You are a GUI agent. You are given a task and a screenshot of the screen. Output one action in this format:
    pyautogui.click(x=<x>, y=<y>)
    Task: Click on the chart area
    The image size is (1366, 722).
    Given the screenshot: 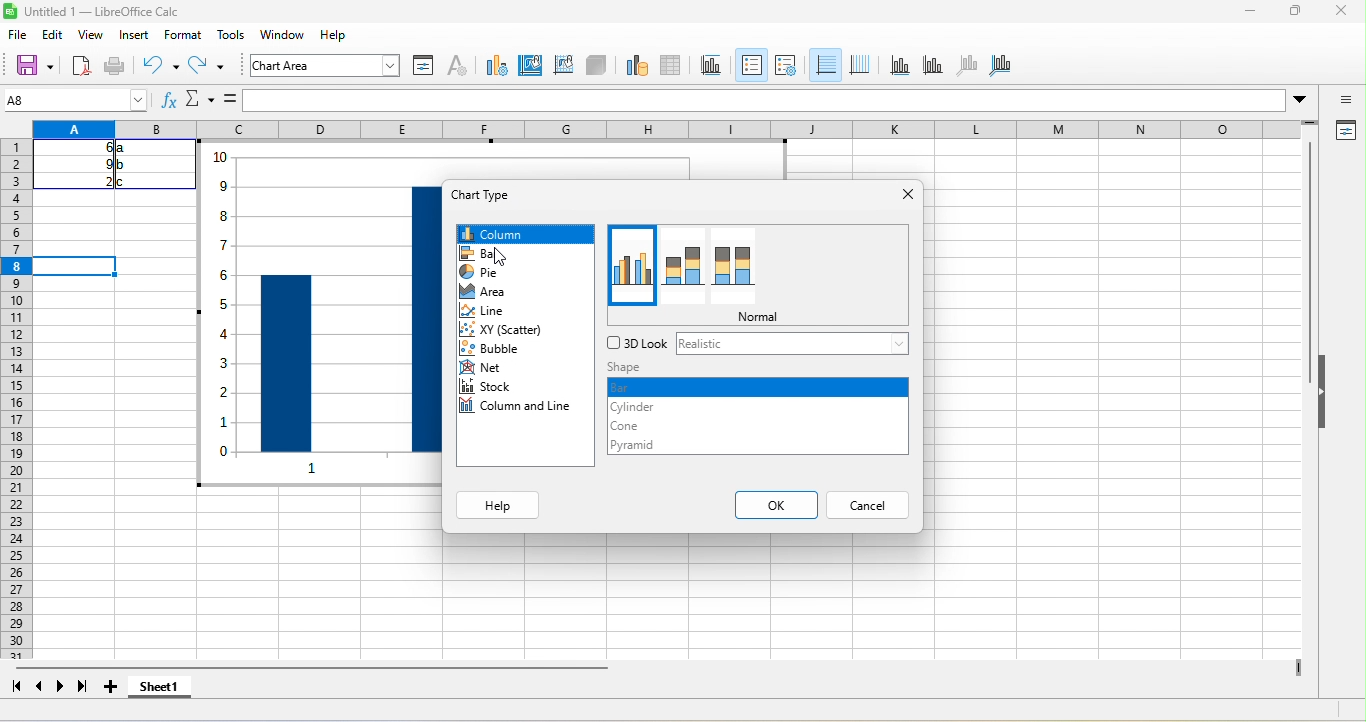 What is the action you would take?
    pyautogui.click(x=532, y=65)
    